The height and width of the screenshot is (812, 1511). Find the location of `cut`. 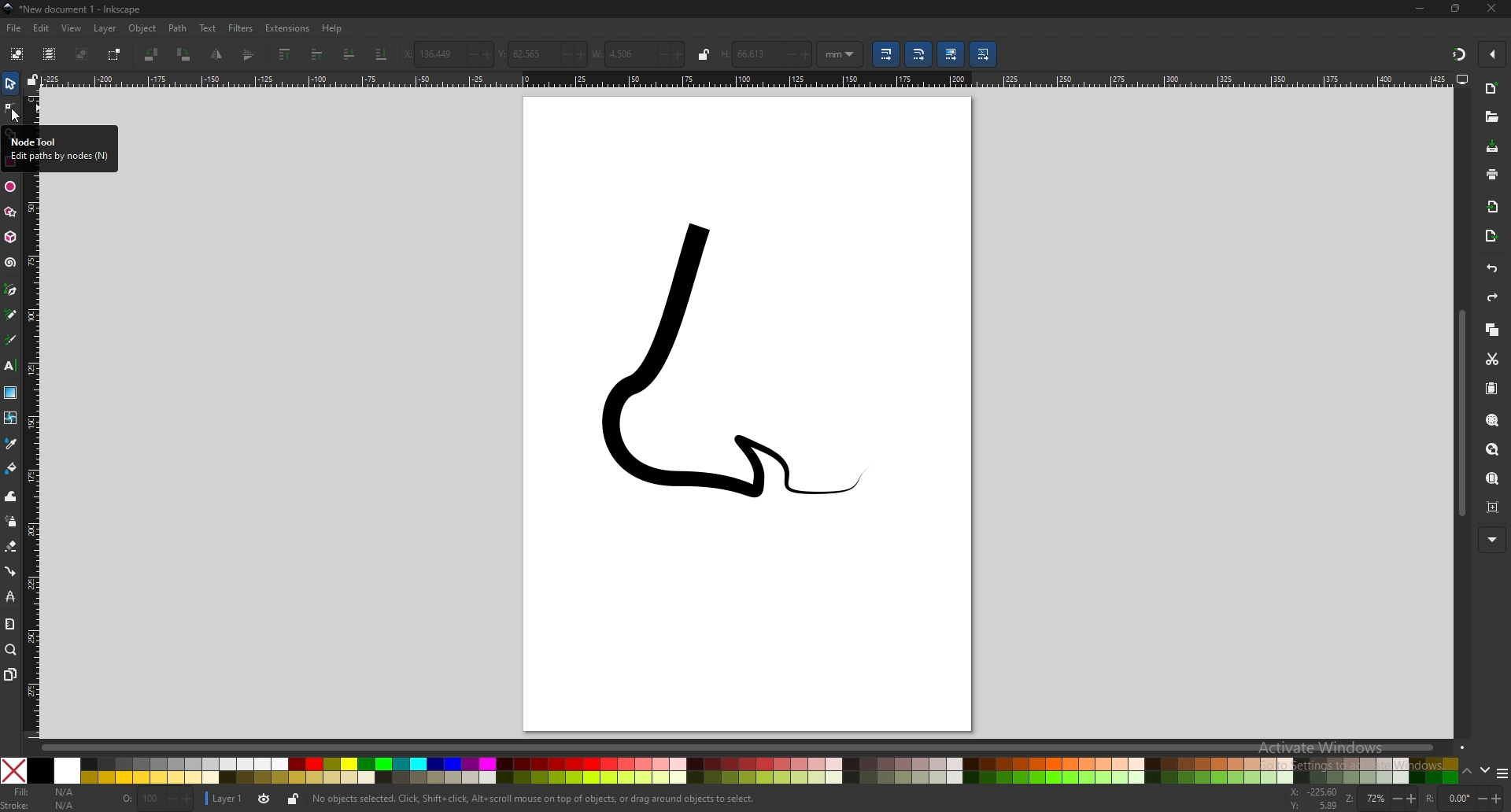

cut is located at coordinates (1491, 358).